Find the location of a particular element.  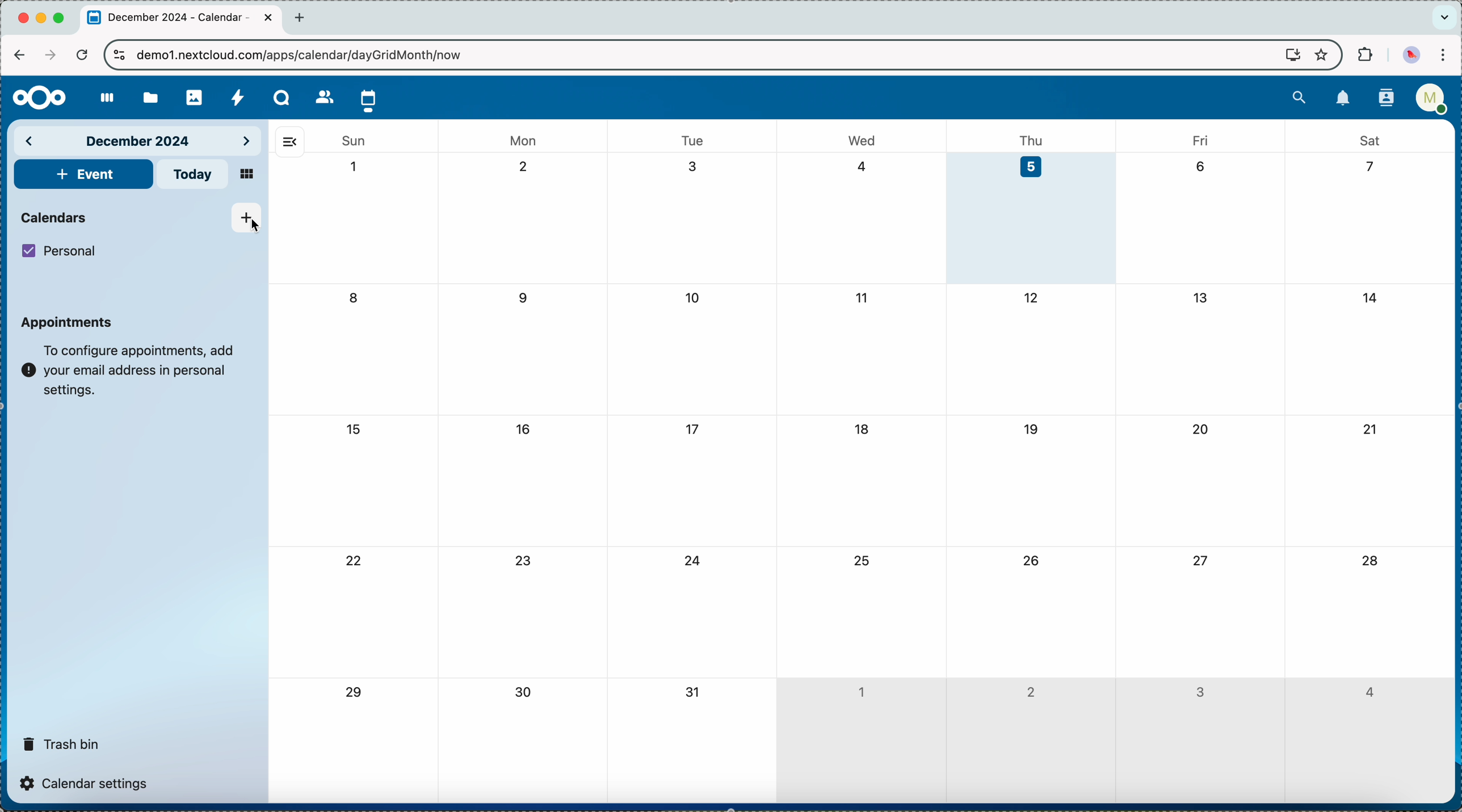

files is located at coordinates (149, 96).